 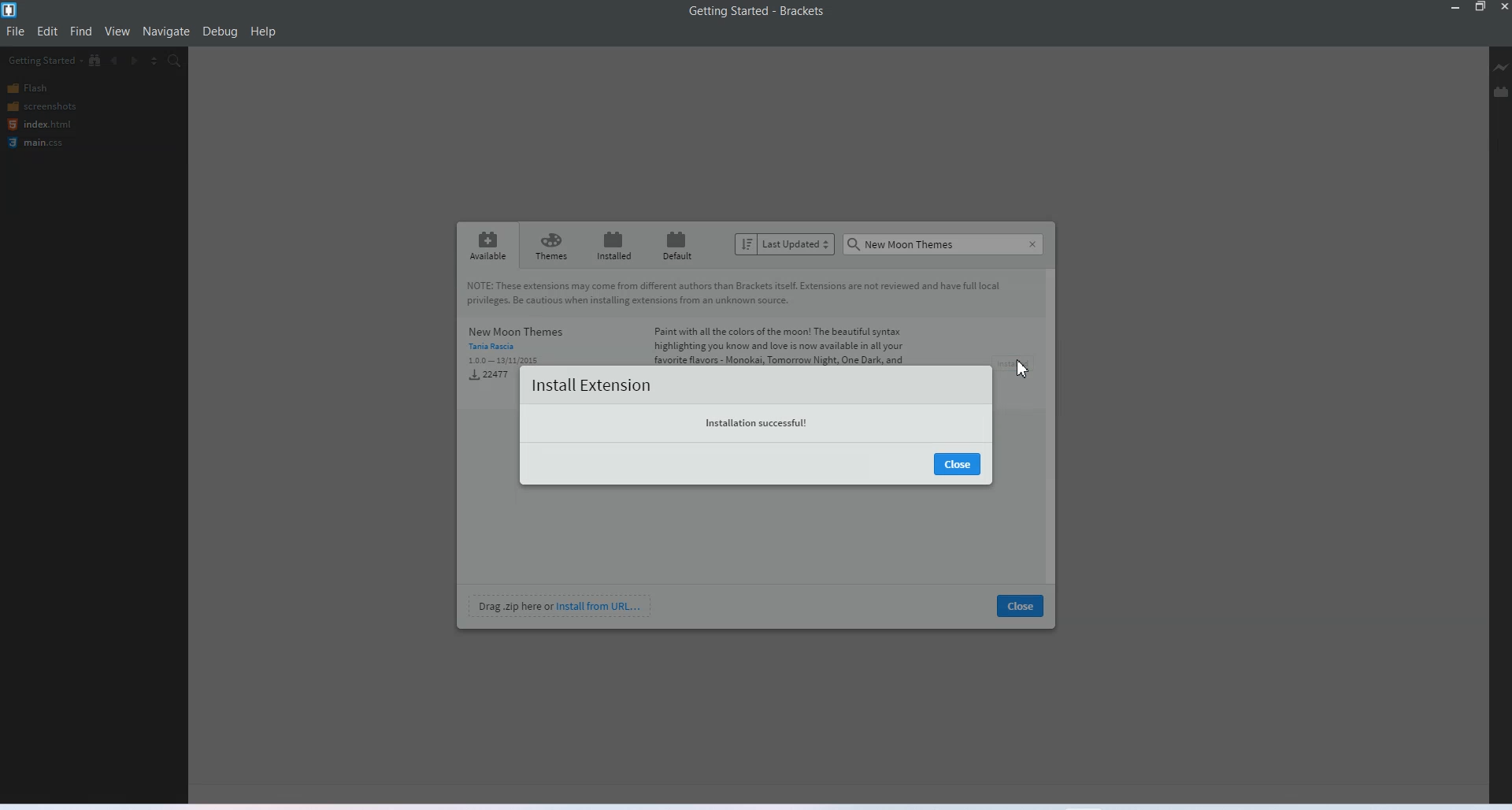 What do you see at coordinates (220, 32) in the screenshot?
I see `Debug` at bounding box center [220, 32].